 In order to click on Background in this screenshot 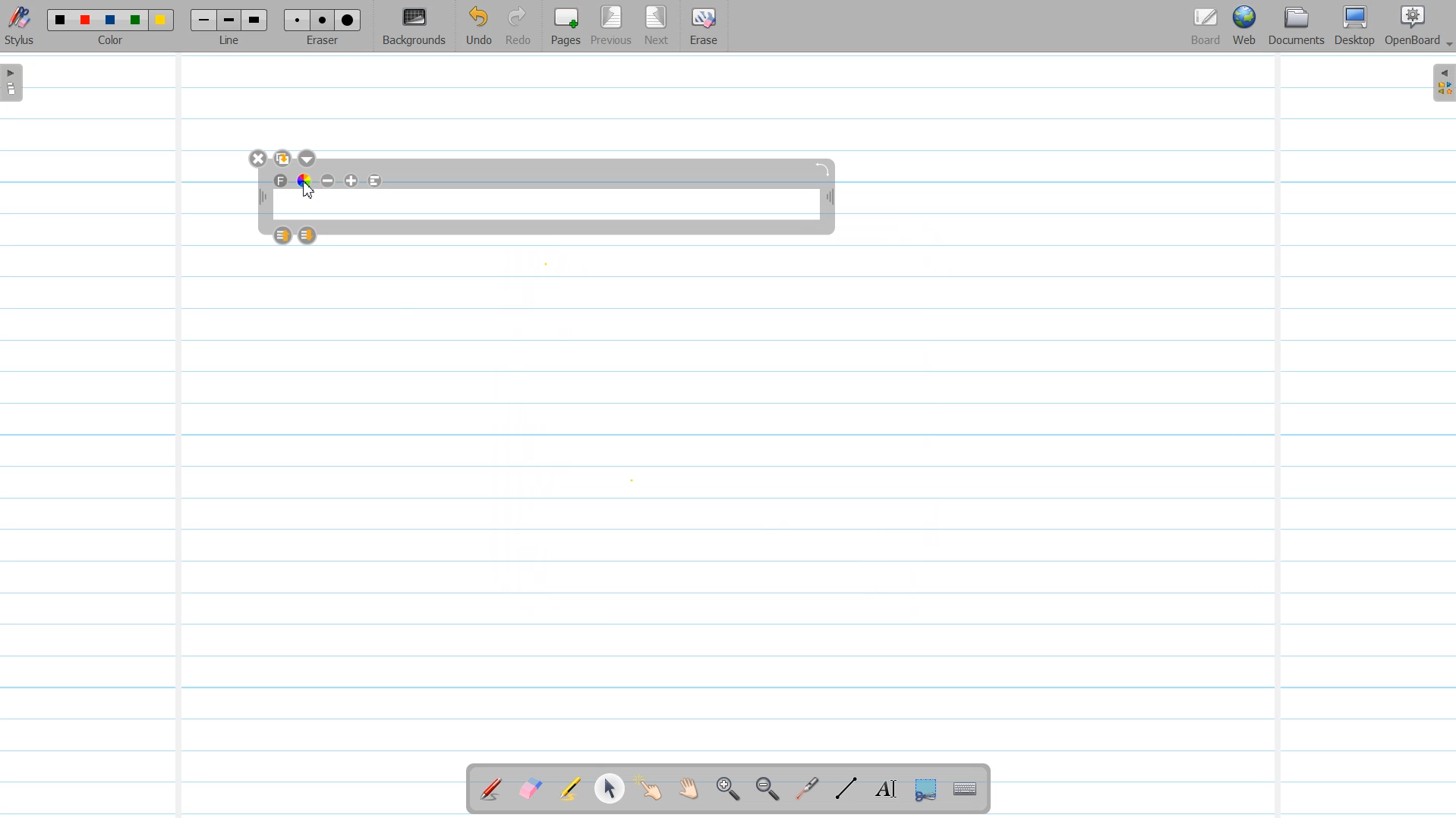, I will do `click(415, 27)`.